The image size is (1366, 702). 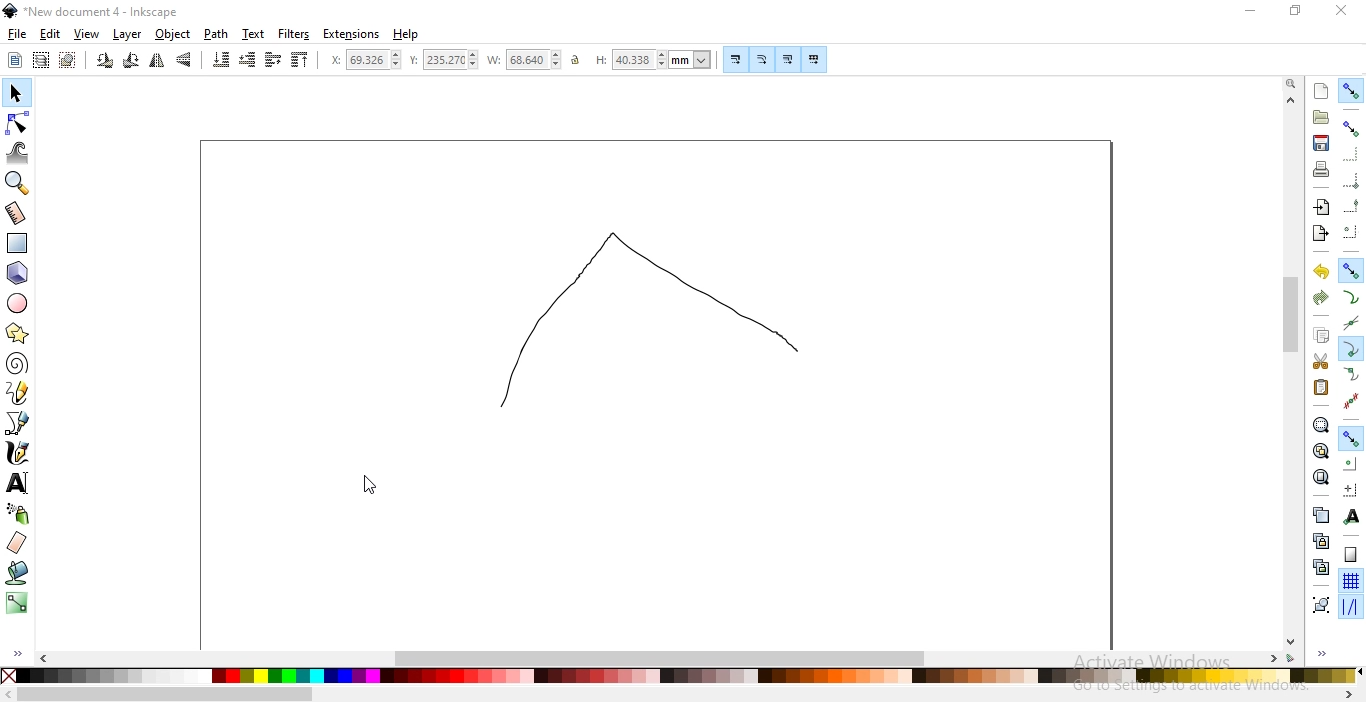 What do you see at coordinates (1293, 317) in the screenshot?
I see `scrollbar` at bounding box center [1293, 317].